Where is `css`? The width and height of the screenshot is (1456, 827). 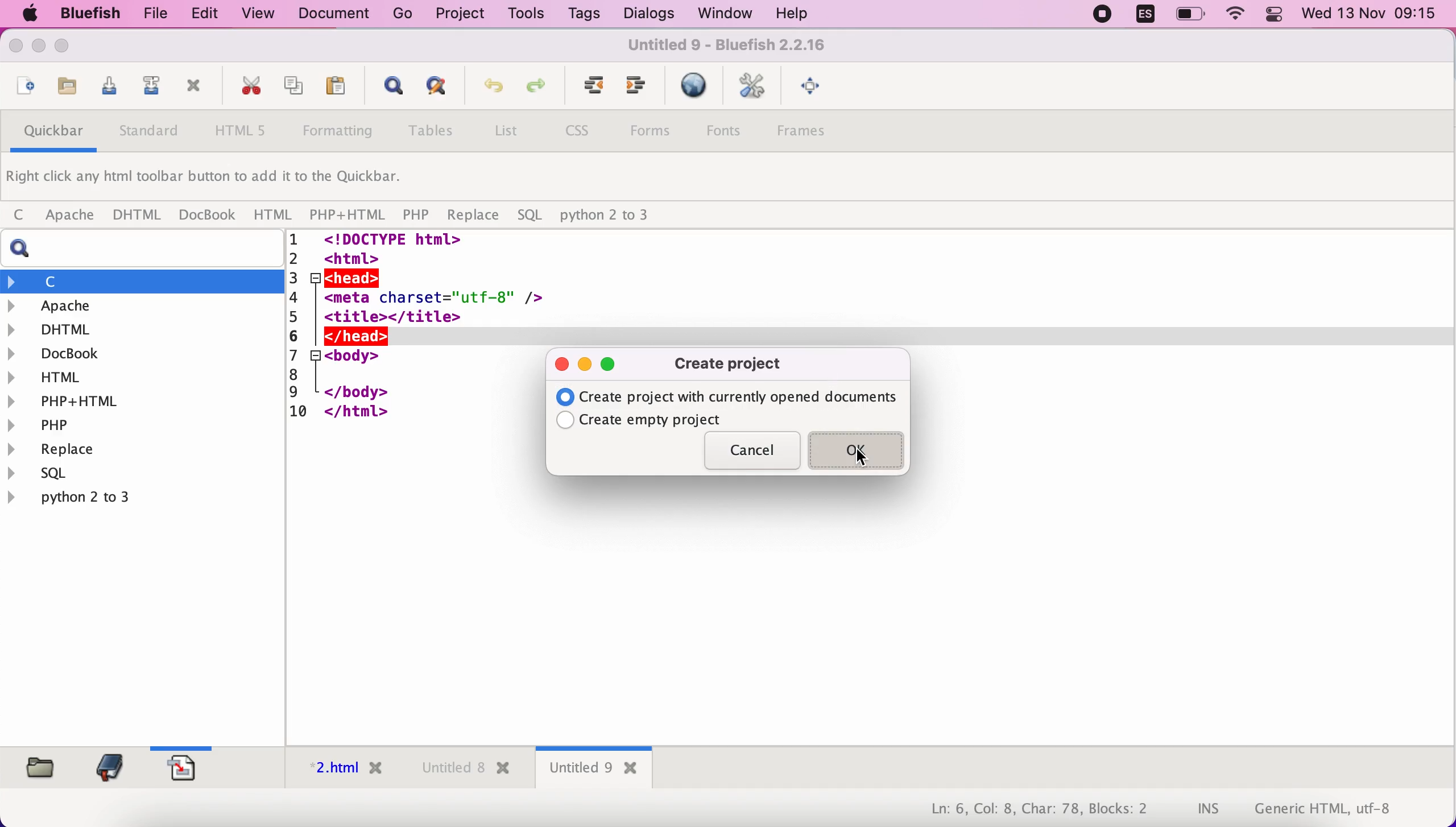 css is located at coordinates (581, 134).